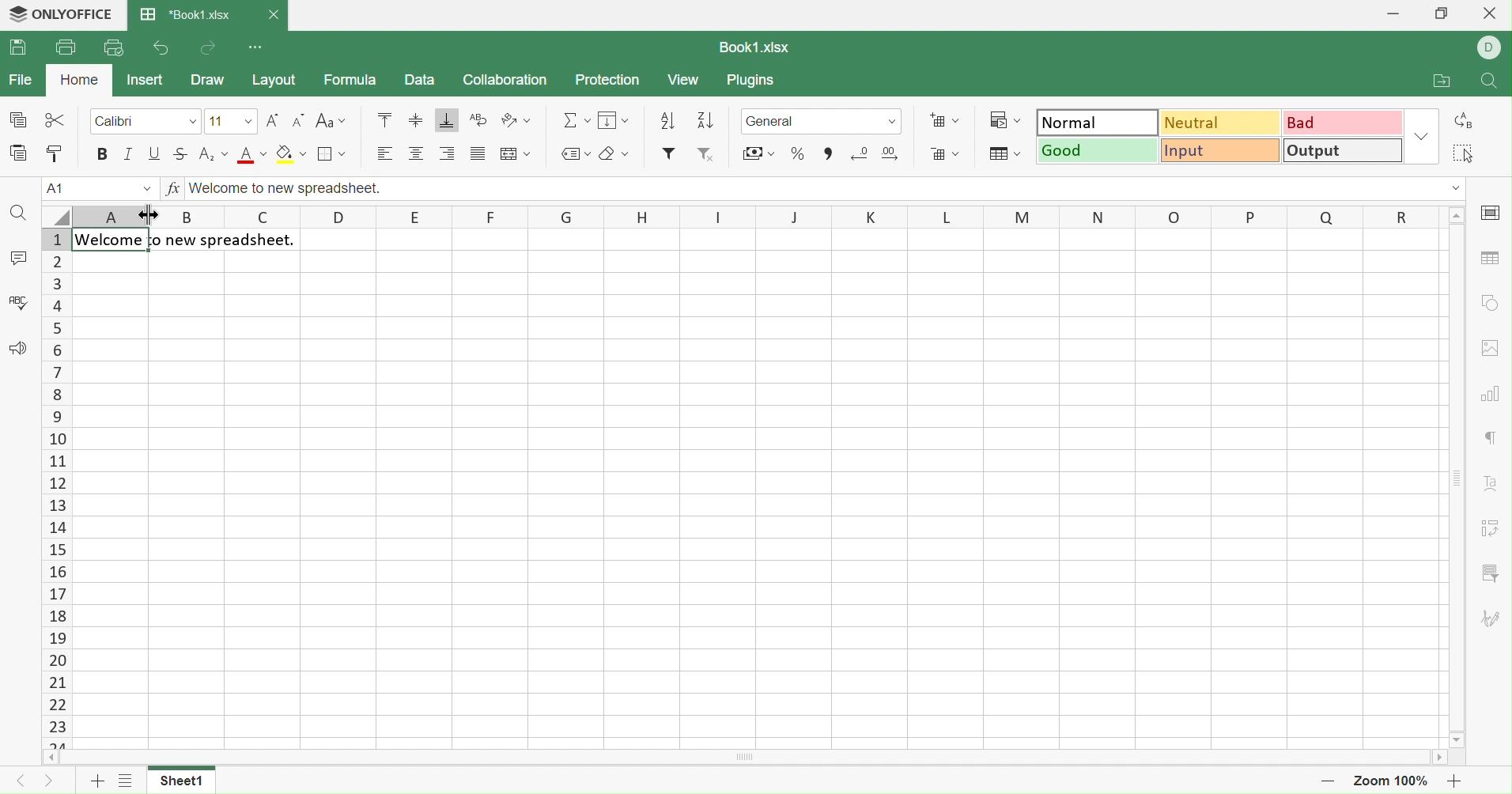 The image size is (1512, 794). What do you see at coordinates (16, 118) in the screenshot?
I see `Copy` at bounding box center [16, 118].